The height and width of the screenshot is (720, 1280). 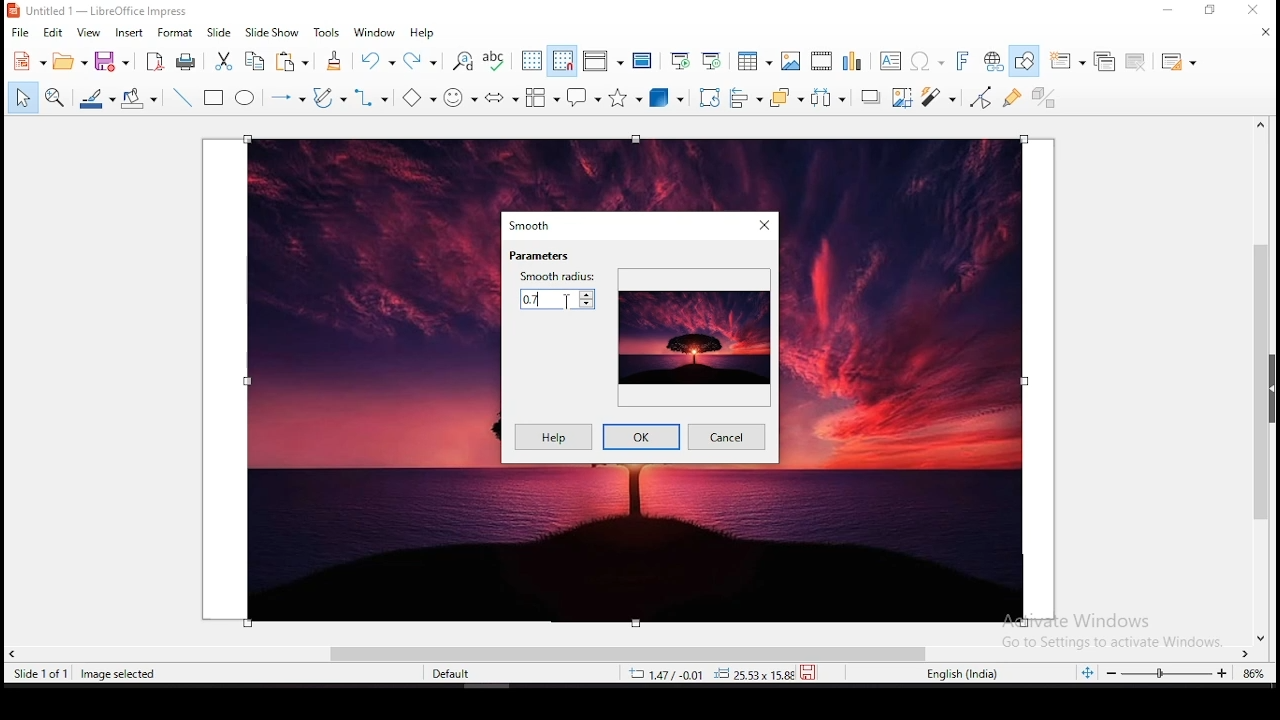 What do you see at coordinates (457, 677) in the screenshot?
I see `default` at bounding box center [457, 677].